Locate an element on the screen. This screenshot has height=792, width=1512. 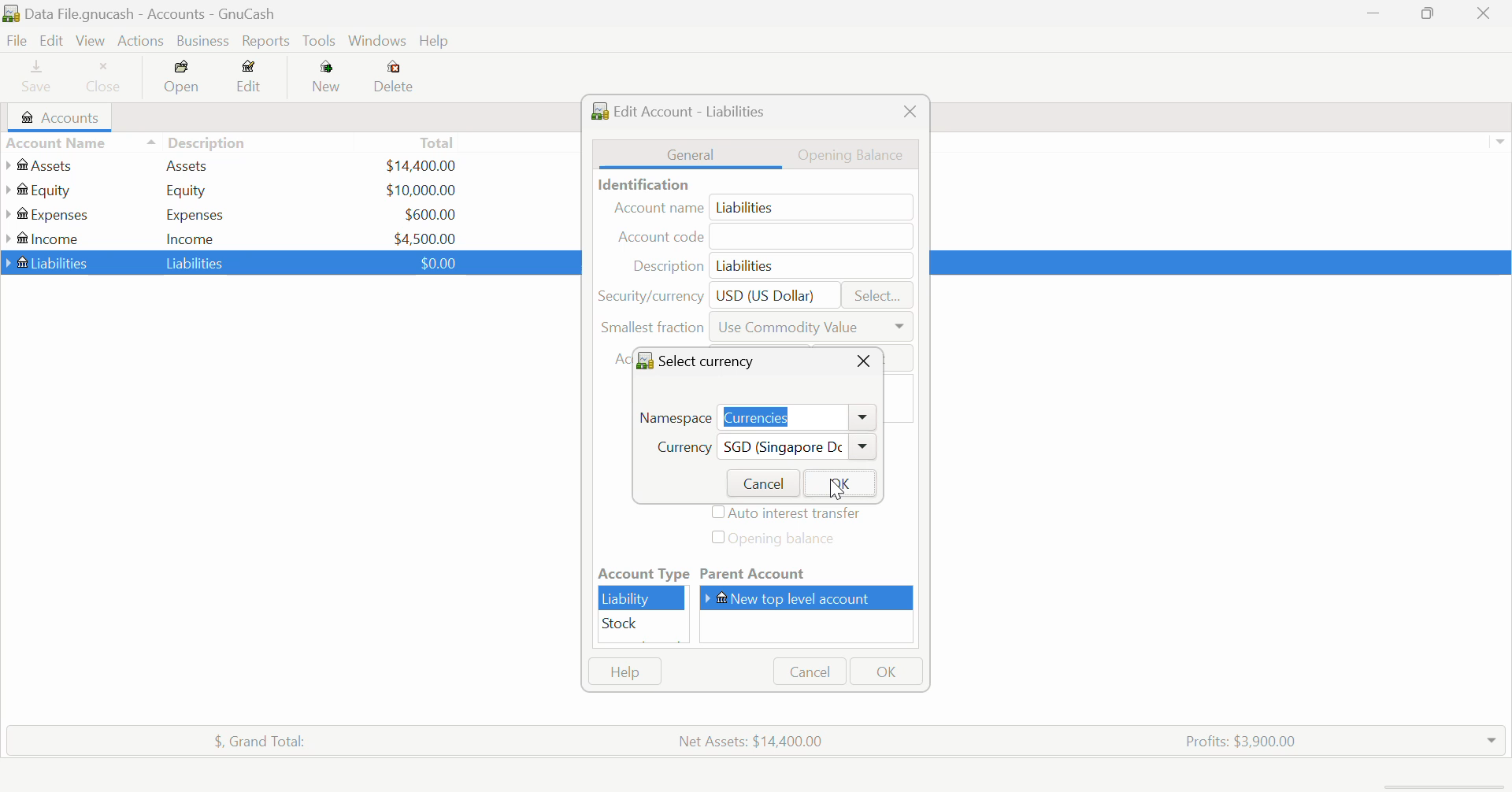
Open is located at coordinates (183, 80).